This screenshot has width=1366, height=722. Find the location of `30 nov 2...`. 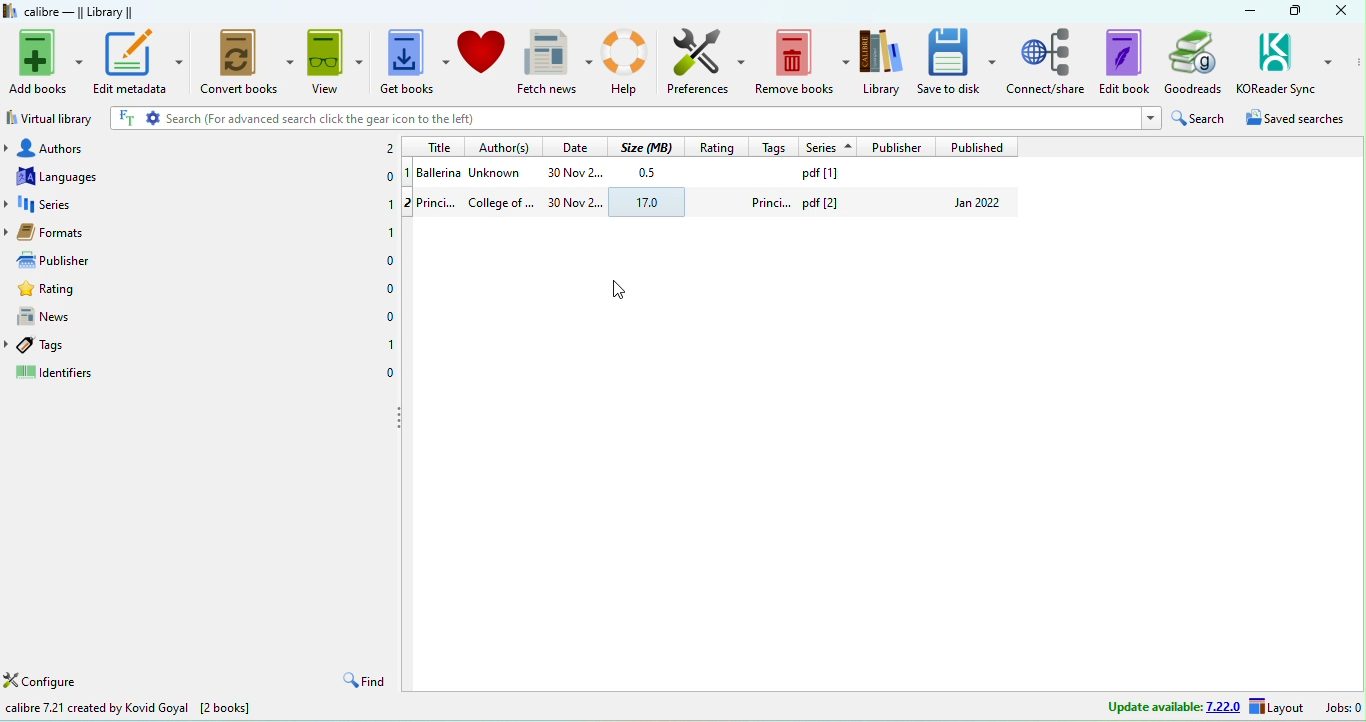

30 nov 2... is located at coordinates (574, 172).